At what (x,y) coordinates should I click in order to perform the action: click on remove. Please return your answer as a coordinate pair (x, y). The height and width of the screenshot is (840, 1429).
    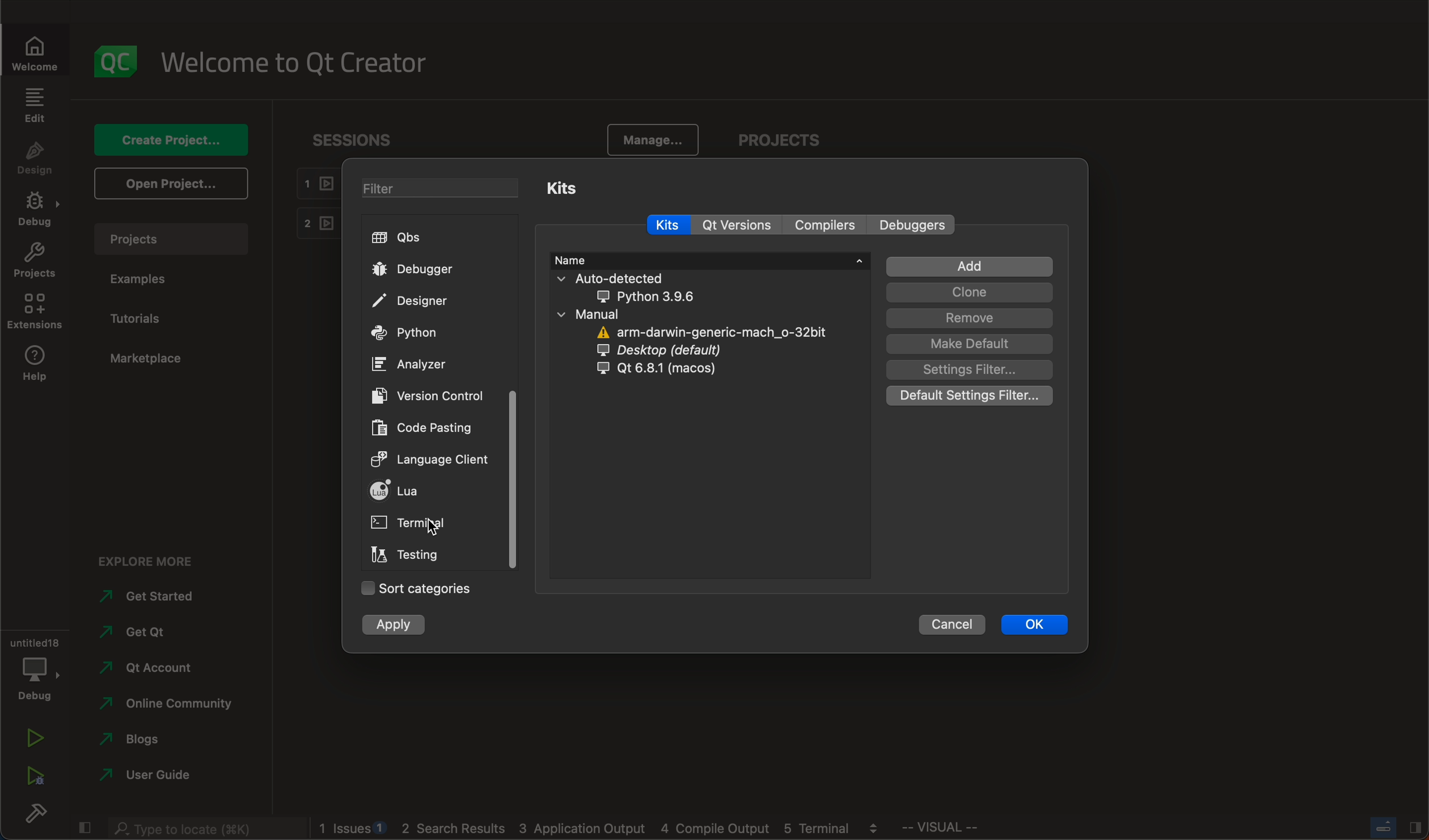
    Looking at the image, I should click on (970, 318).